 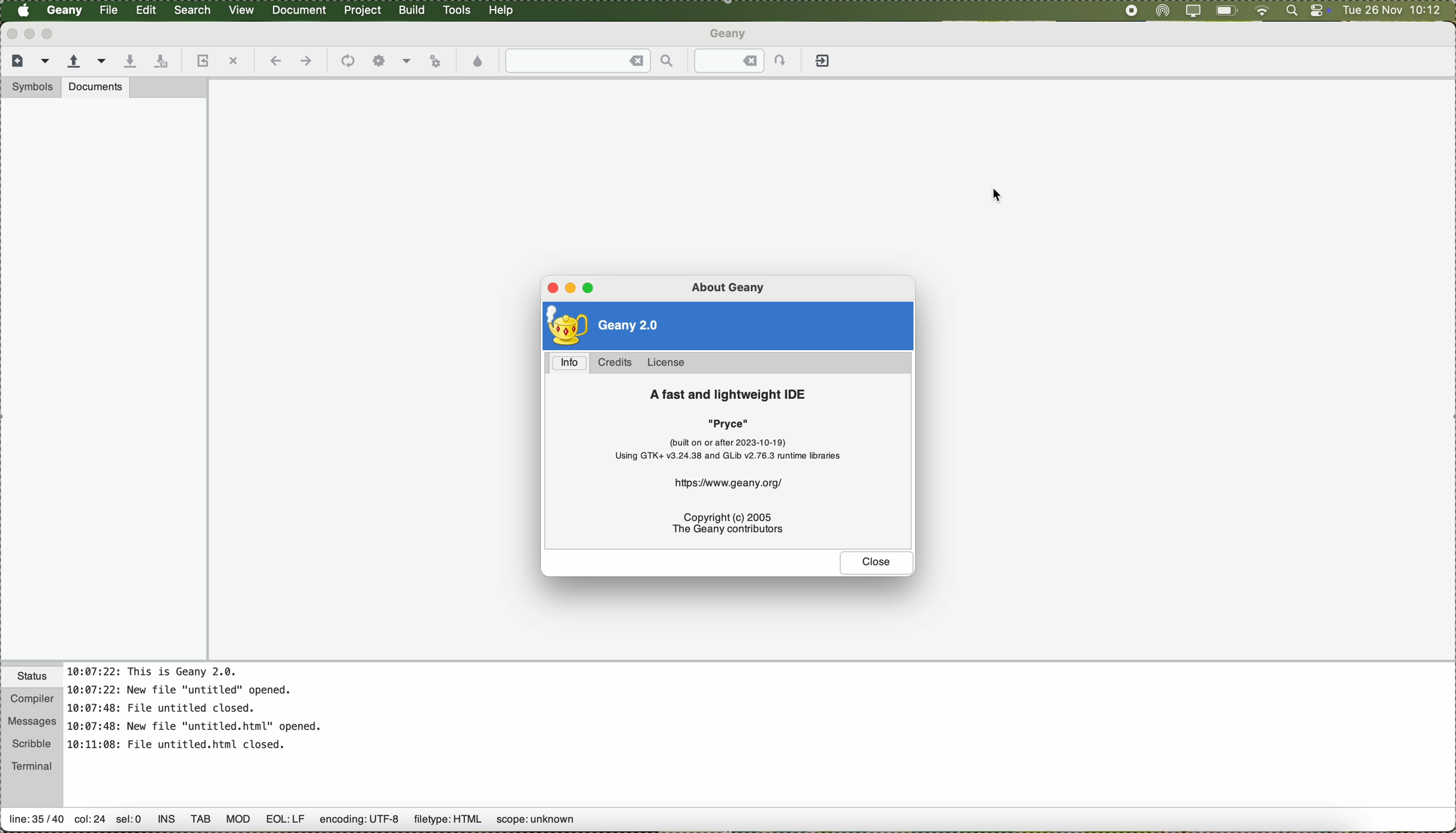 What do you see at coordinates (347, 62) in the screenshot?
I see `compile the current file` at bounding box center [347, 62].